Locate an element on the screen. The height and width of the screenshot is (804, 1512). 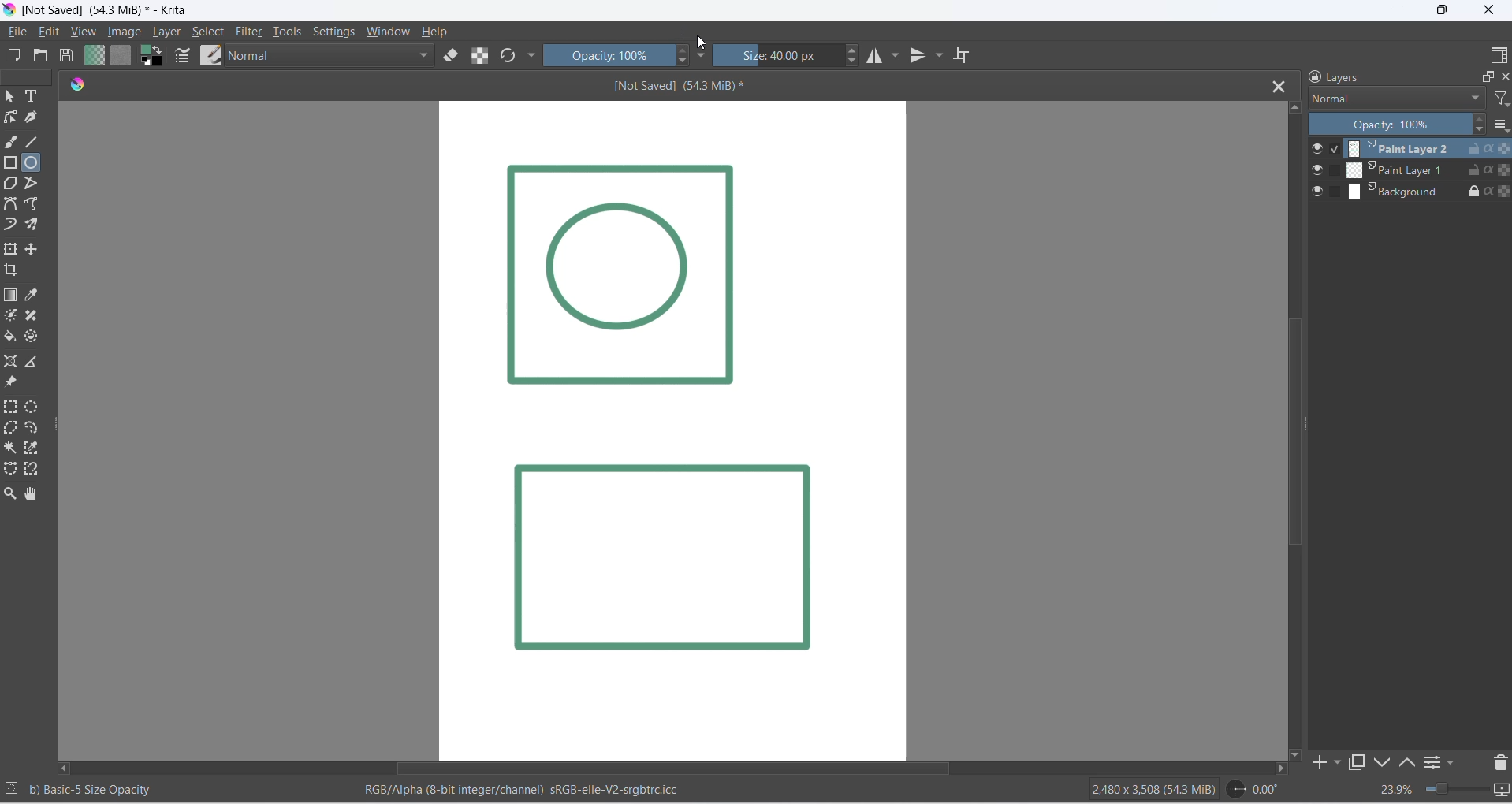
refresh is located at coordinates (507, 58).